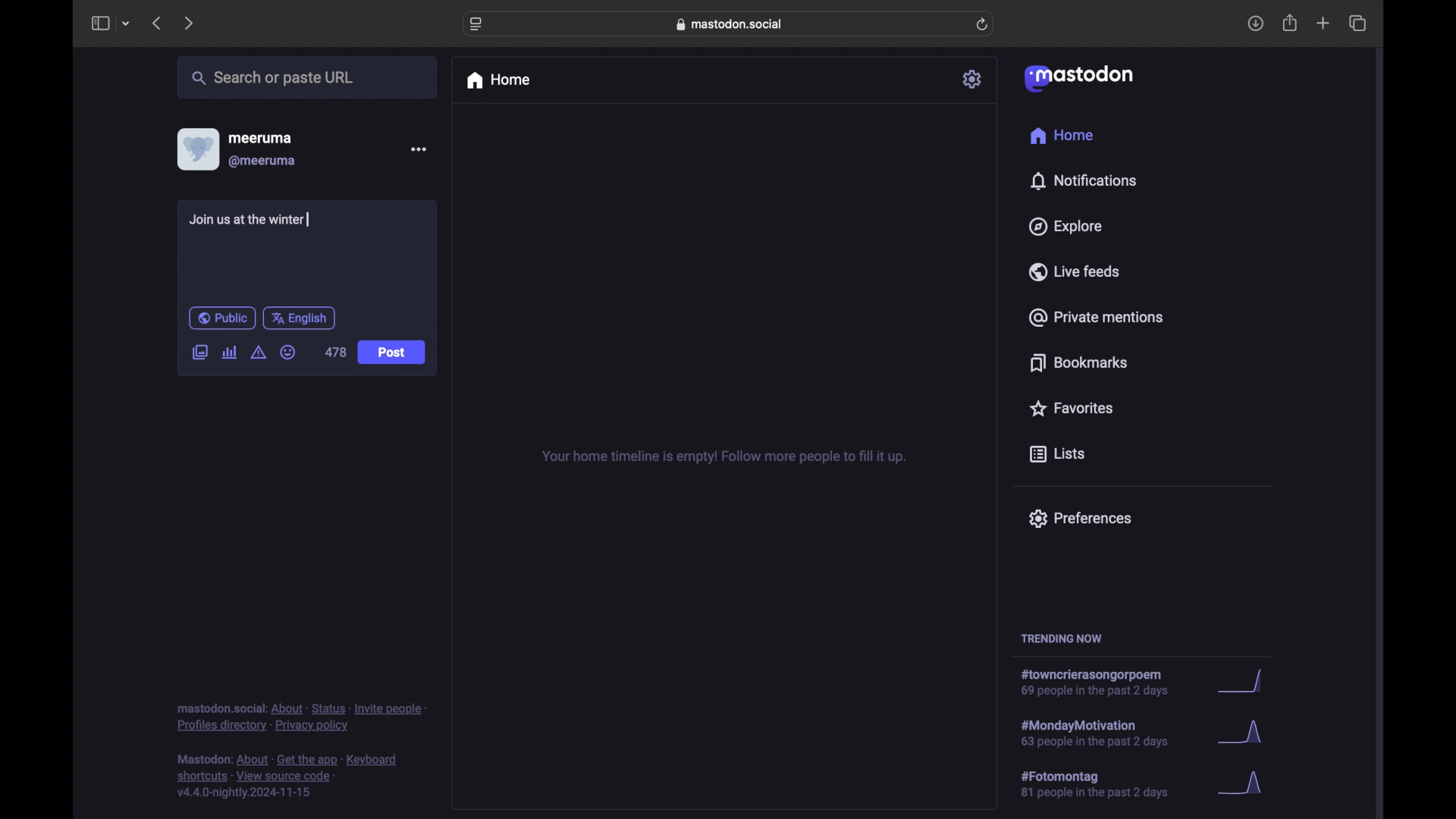 The width and height of the screenshot is (1456, 819). Describe the element at coordinates (1097, 317) in the screenshot. I see `private mentions` at that location.